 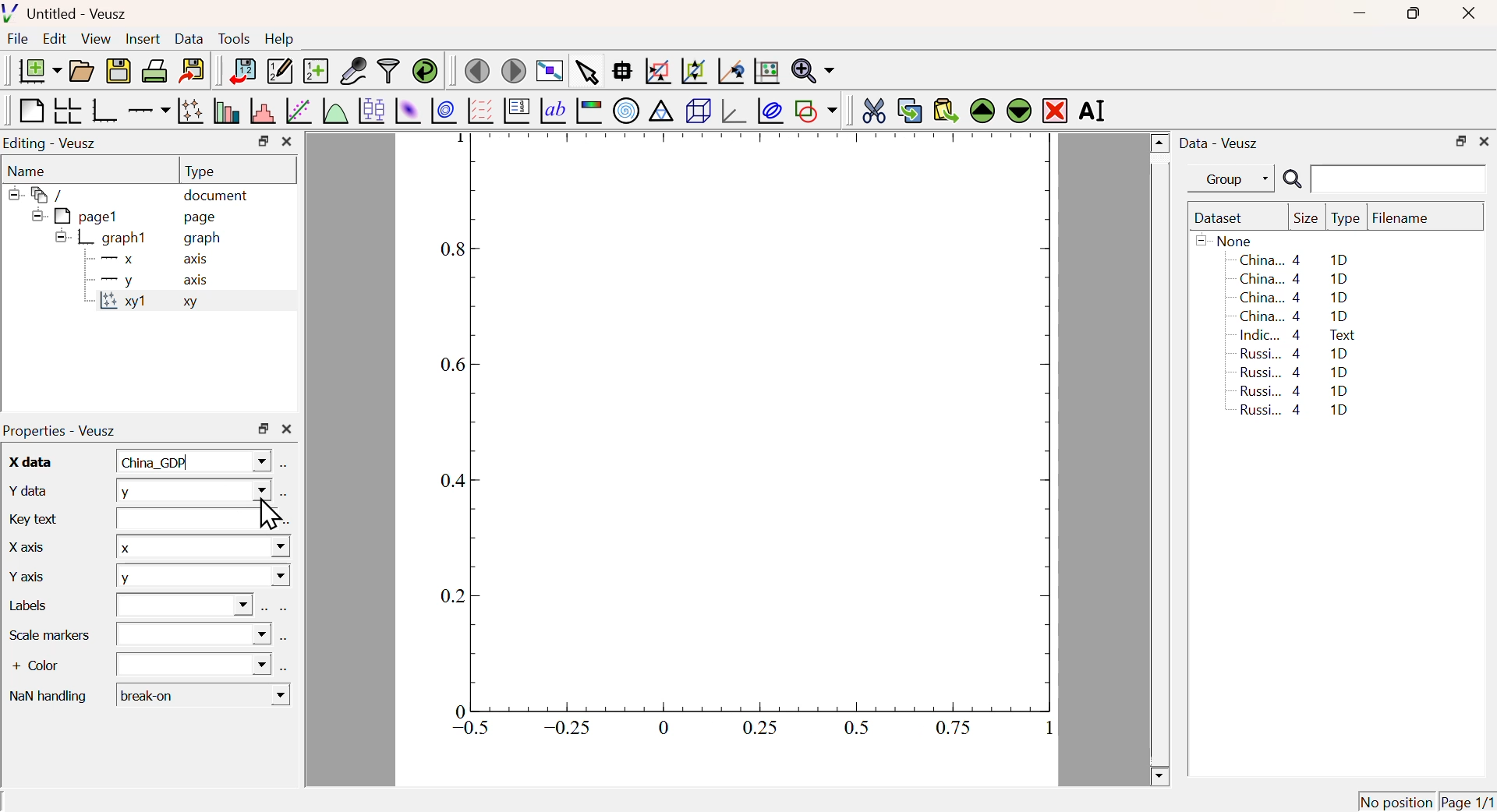 I want to click on Move Down, so click(x=1018, y=110).